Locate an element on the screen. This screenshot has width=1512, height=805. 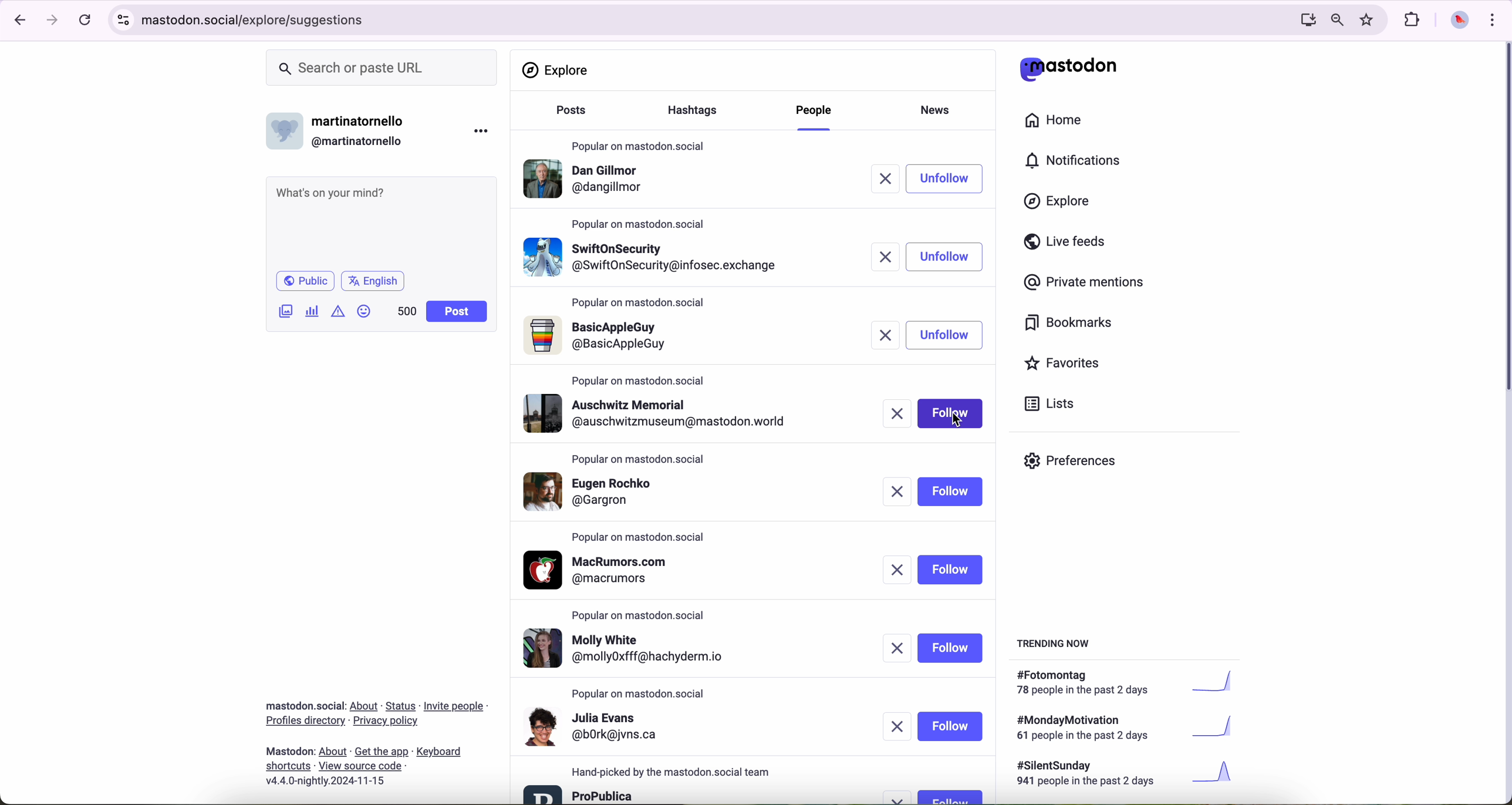
popular on mastodon.social is located at coordinates (644, 613).